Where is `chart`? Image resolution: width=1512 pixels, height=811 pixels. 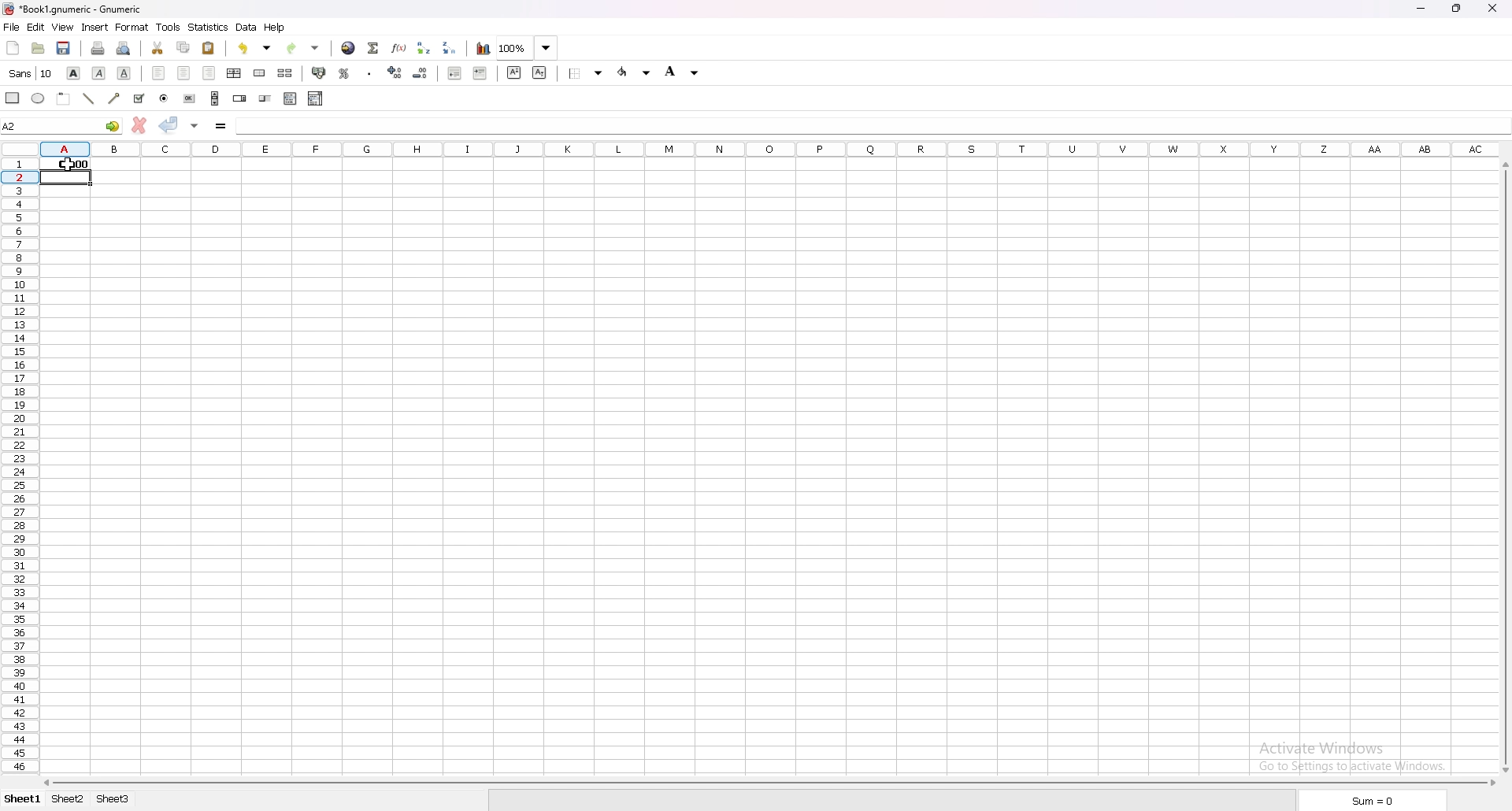 chart is located at coordinates (484, 49).